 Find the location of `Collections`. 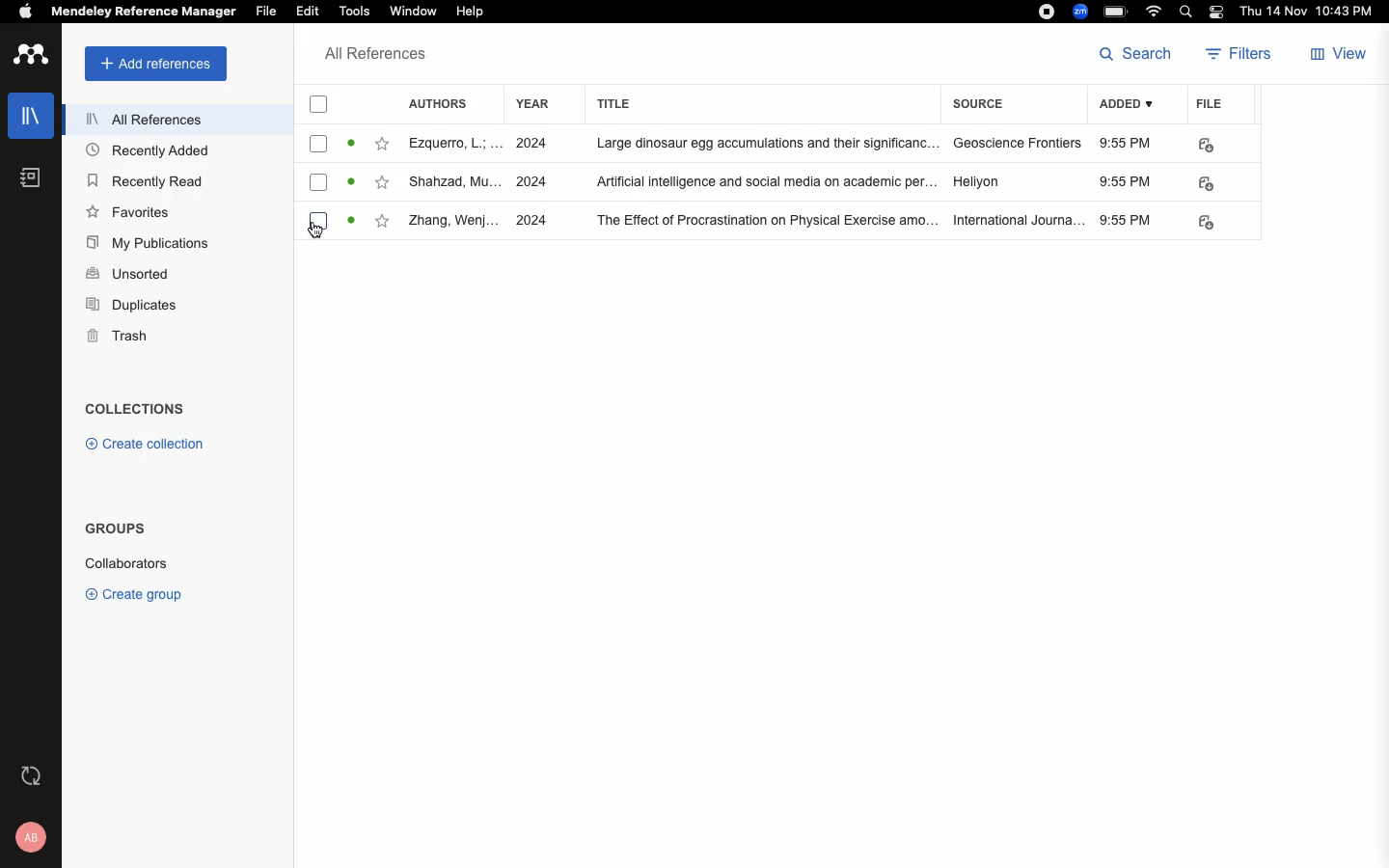

Collections is located at coordinates (135, 411).